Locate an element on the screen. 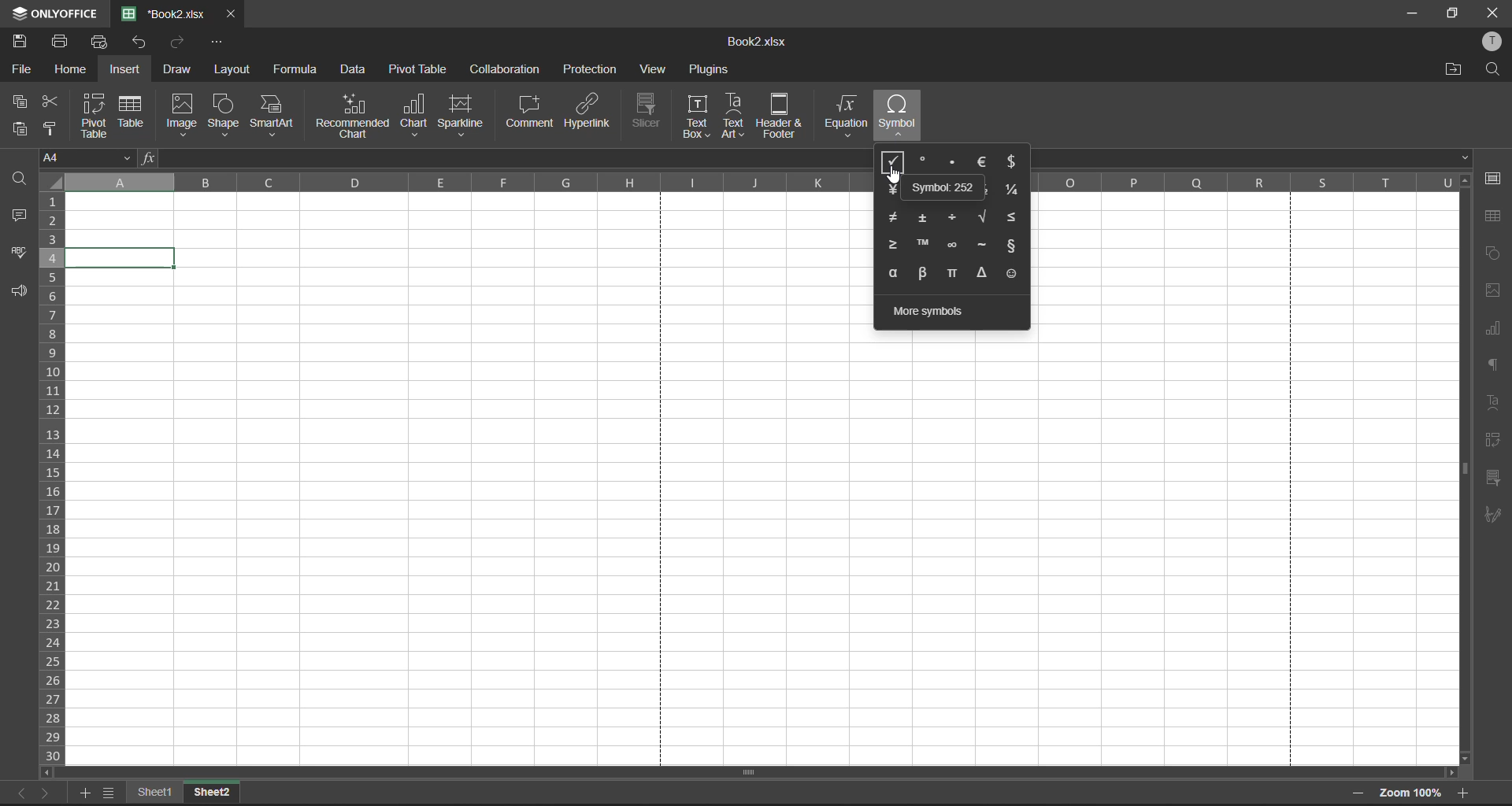 The width and height of the screenshot is (1512, 806). close is located at coordinates (1495, 12).